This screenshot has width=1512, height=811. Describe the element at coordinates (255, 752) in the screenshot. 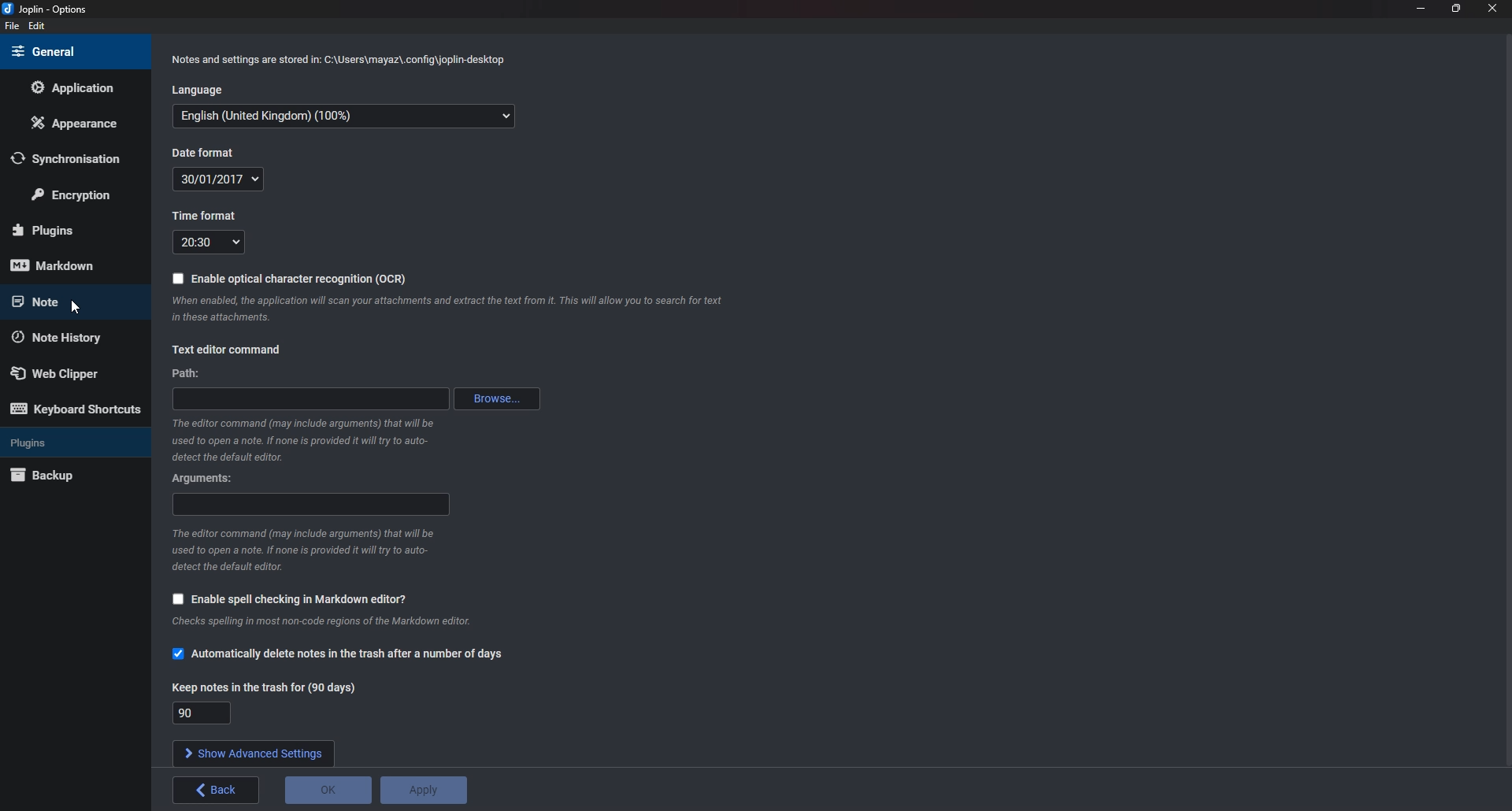

I see `show advanced settings` at that location.